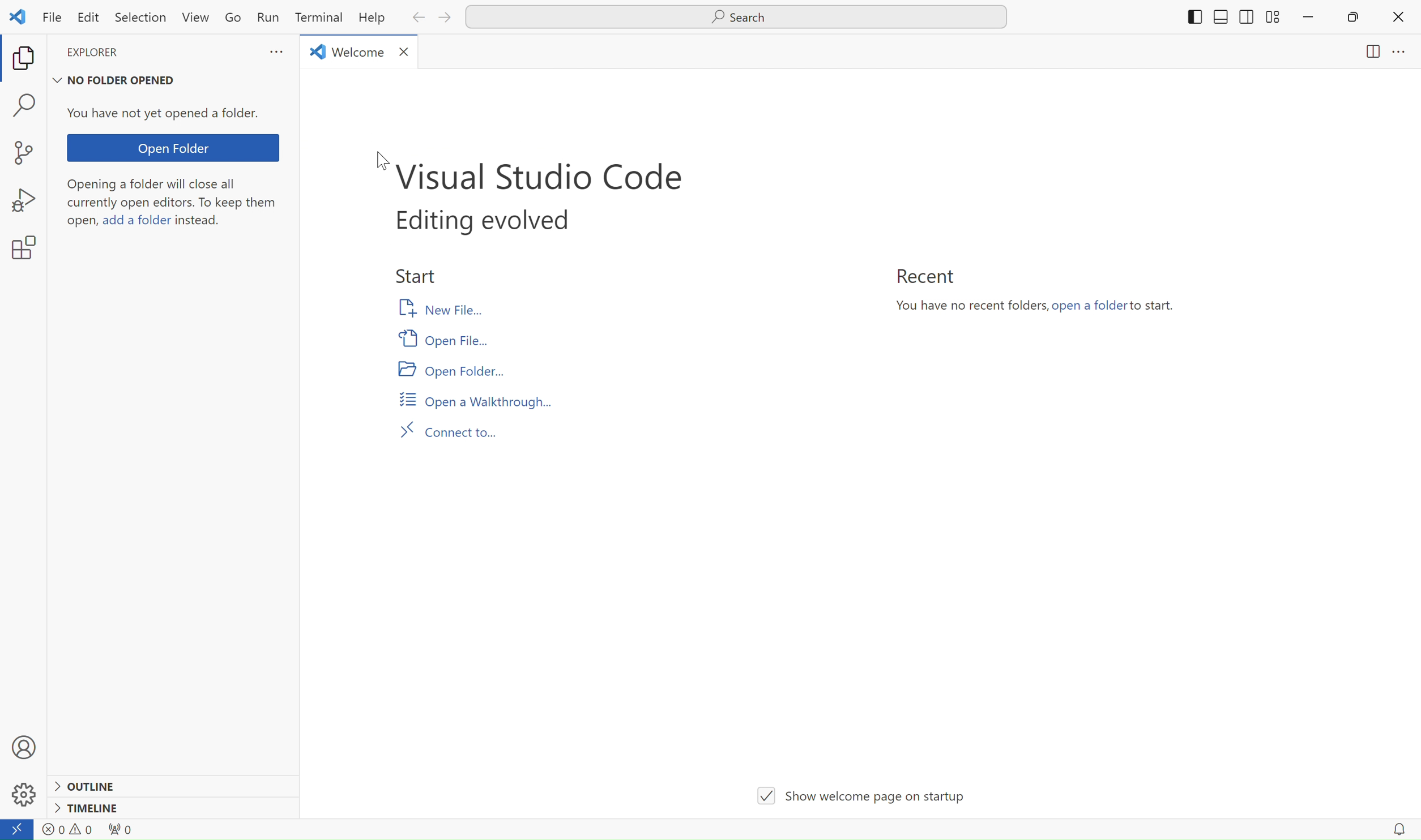  Describe the element at coordinates (176, 148) in the screenshot. I see `Open folder` at that location.